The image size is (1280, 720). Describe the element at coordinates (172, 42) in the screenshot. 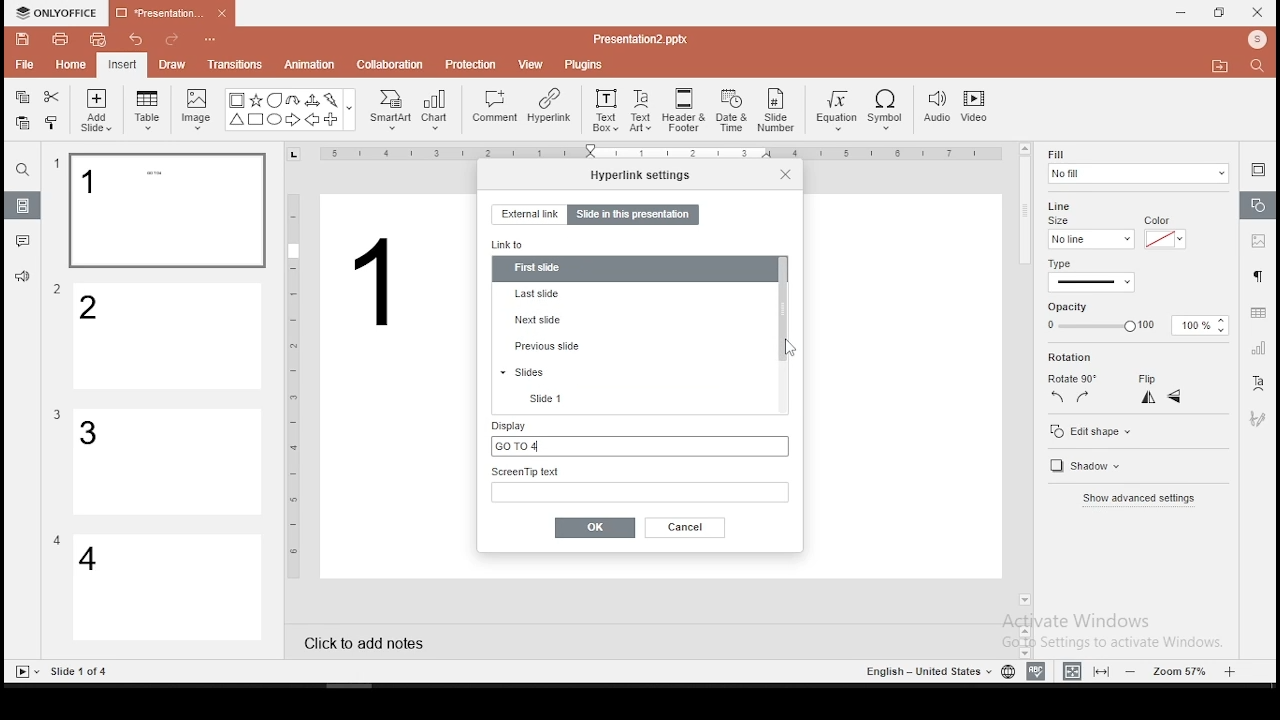

I see `redo` at that location.